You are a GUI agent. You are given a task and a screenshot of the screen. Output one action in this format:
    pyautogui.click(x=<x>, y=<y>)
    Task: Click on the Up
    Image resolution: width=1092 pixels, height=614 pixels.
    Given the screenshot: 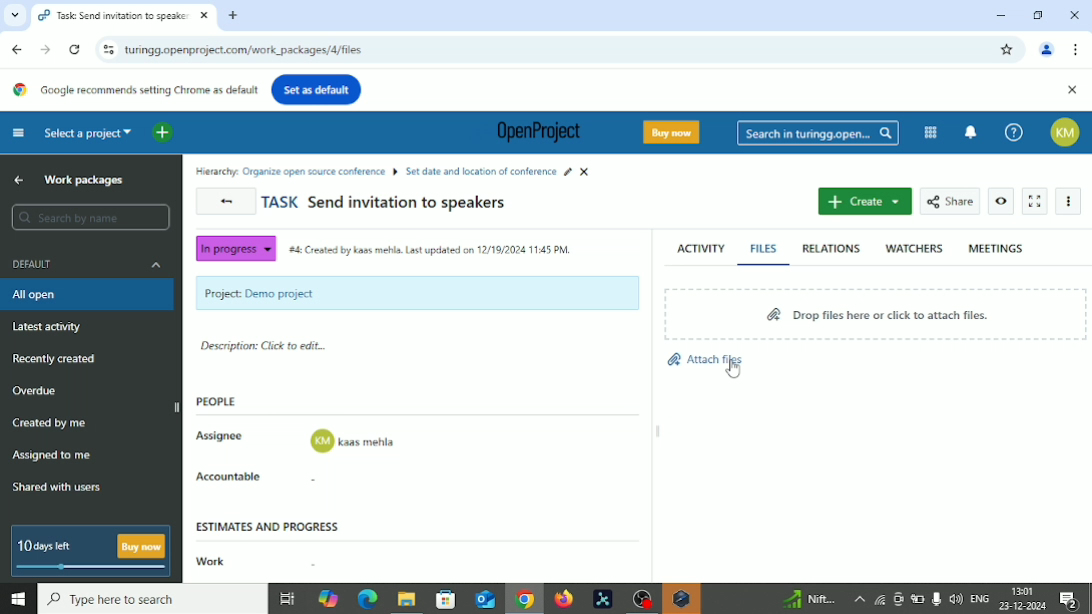 What is the action you would take?
    pyautogui.click(x=19, y=179)
    